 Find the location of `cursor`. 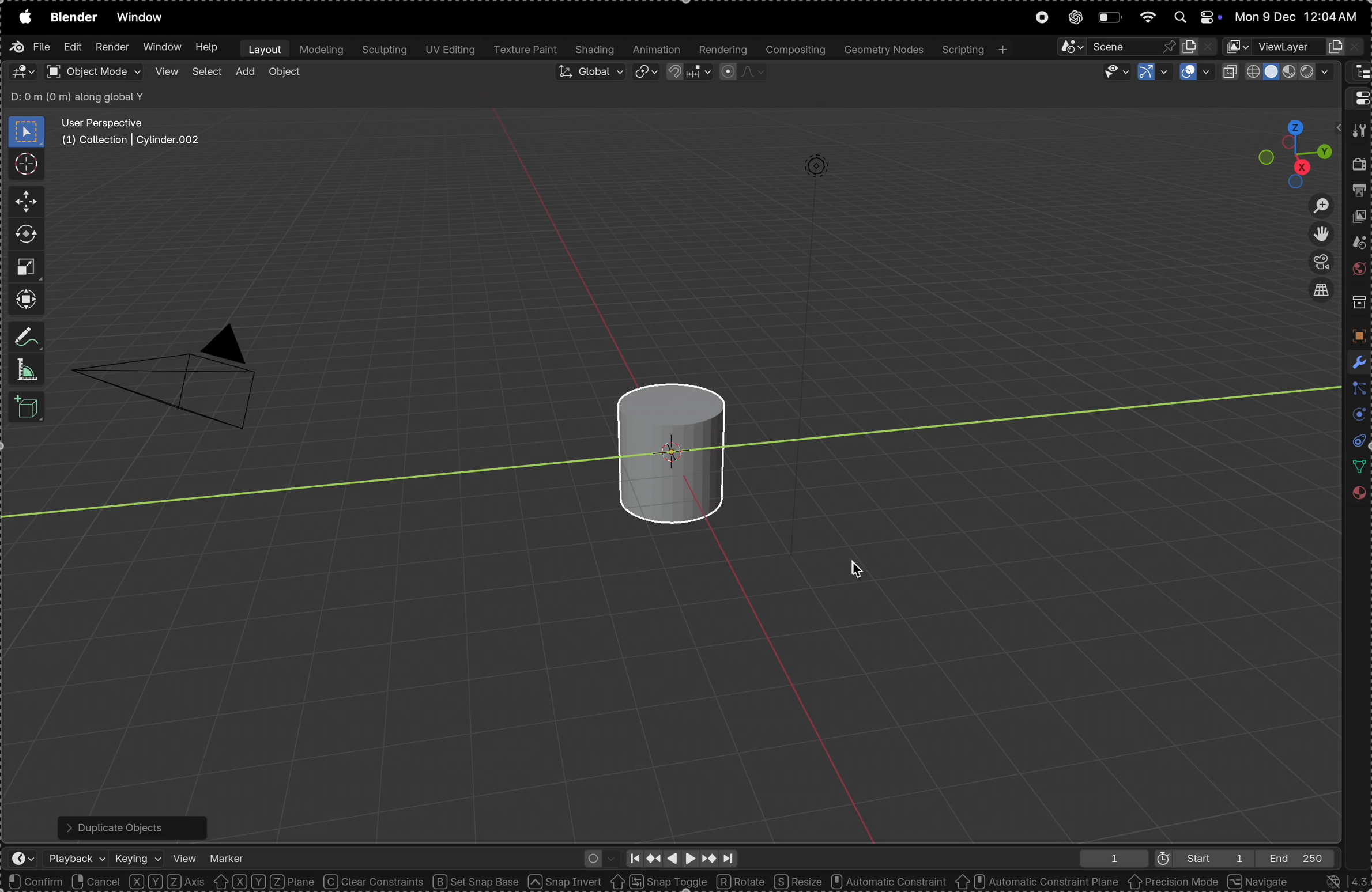

cursor is located at coordinates (25, 163).